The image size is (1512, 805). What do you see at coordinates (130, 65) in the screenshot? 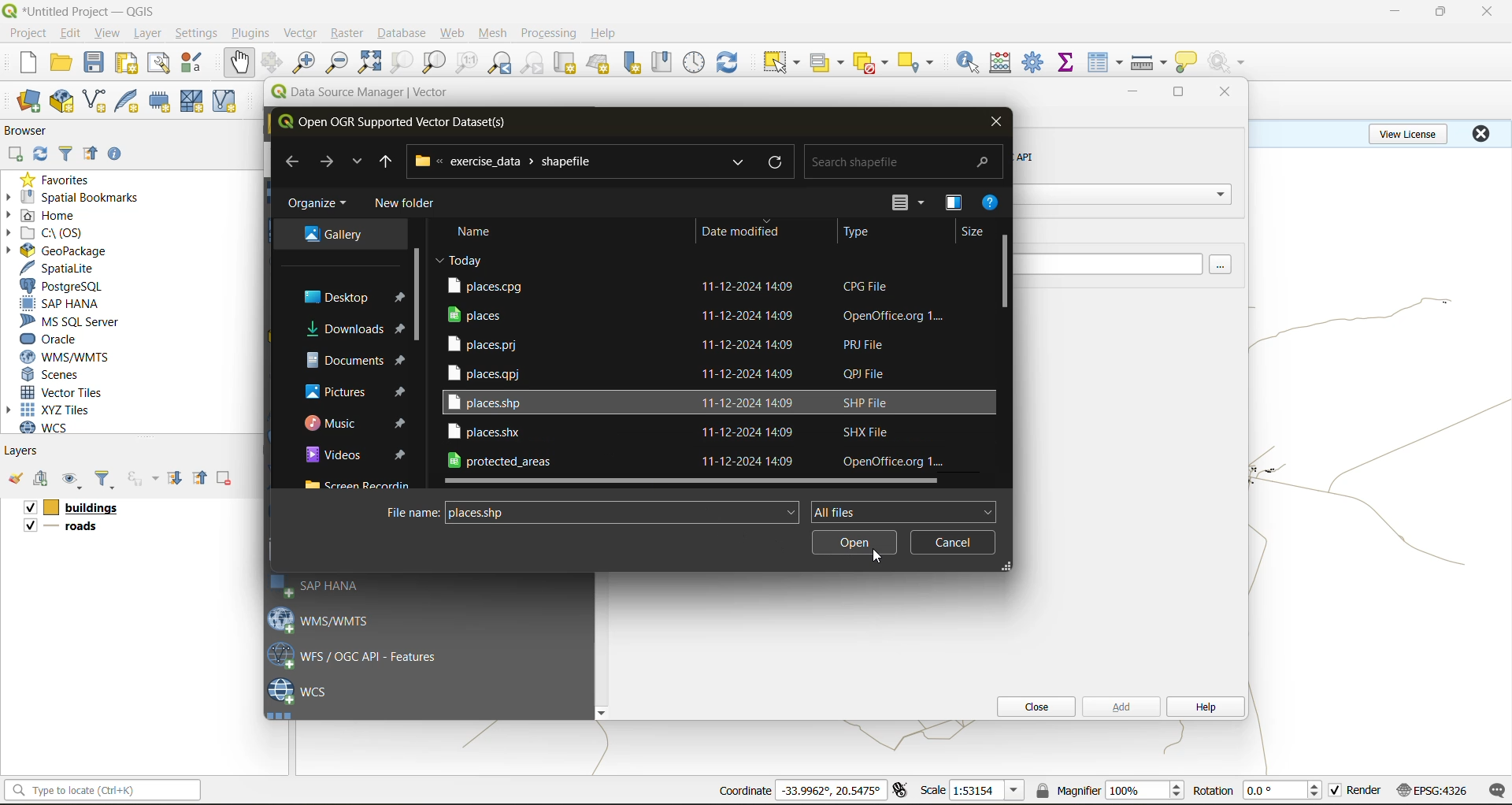
I see `print layout` at bounding box center [130, 65].